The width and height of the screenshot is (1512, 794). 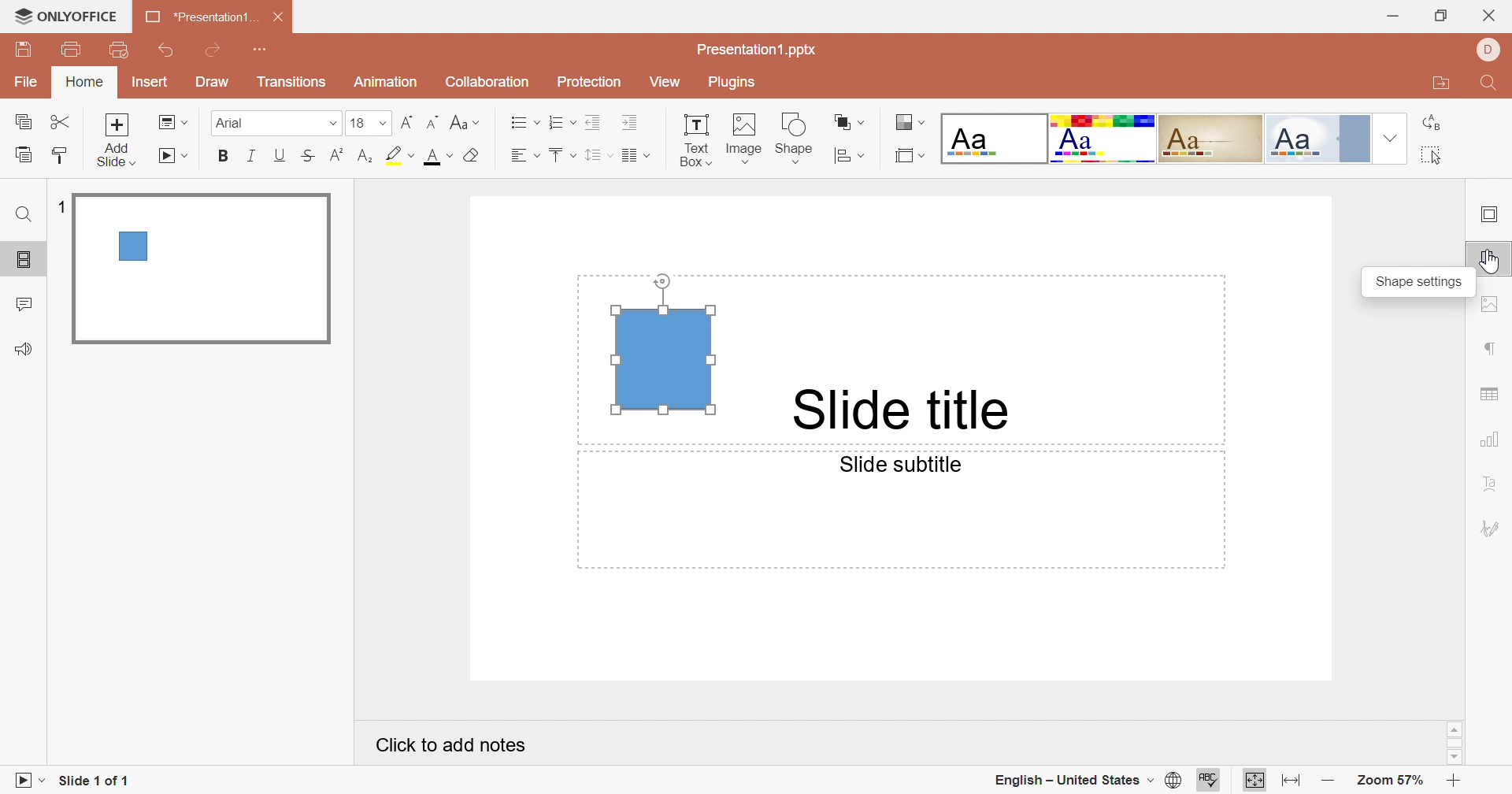 I want to click on Open file location, so click(x=1444, y=85).